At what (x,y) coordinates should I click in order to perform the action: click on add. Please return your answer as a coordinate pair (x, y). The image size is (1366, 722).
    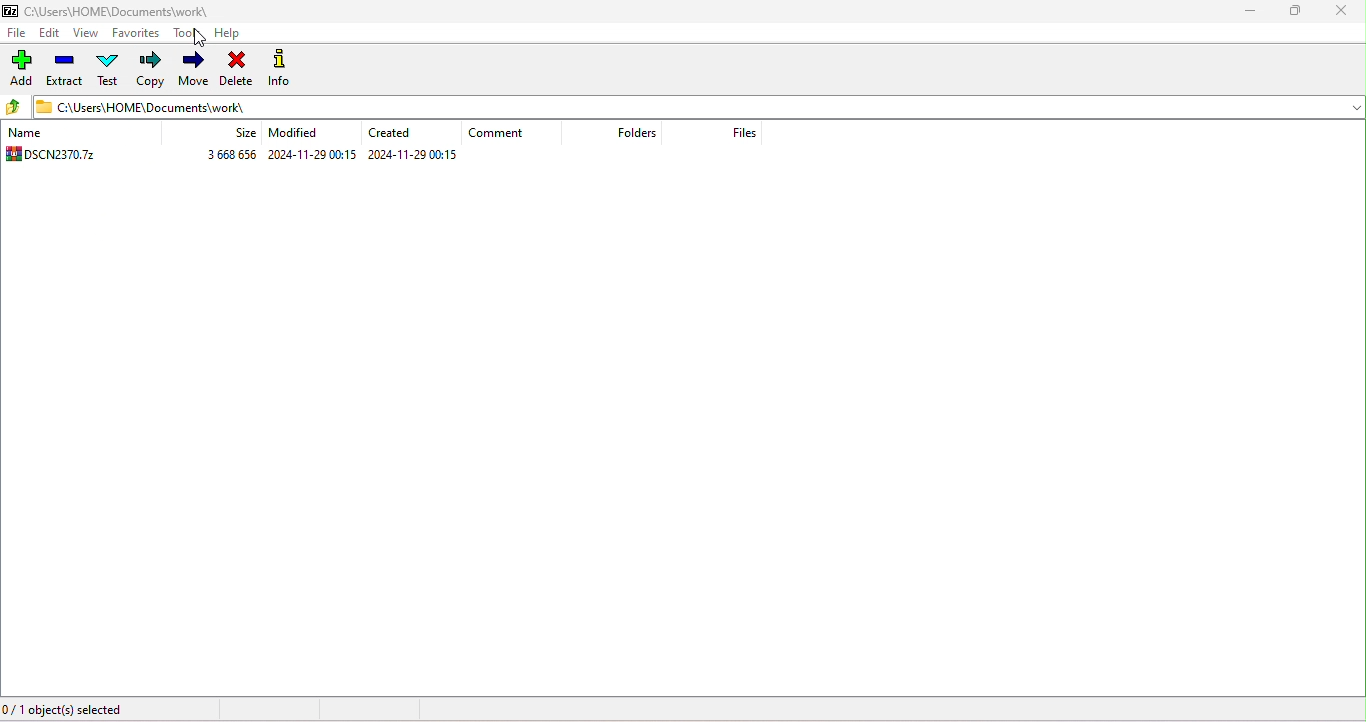
    Looking at the image, I should click on (20, 69).